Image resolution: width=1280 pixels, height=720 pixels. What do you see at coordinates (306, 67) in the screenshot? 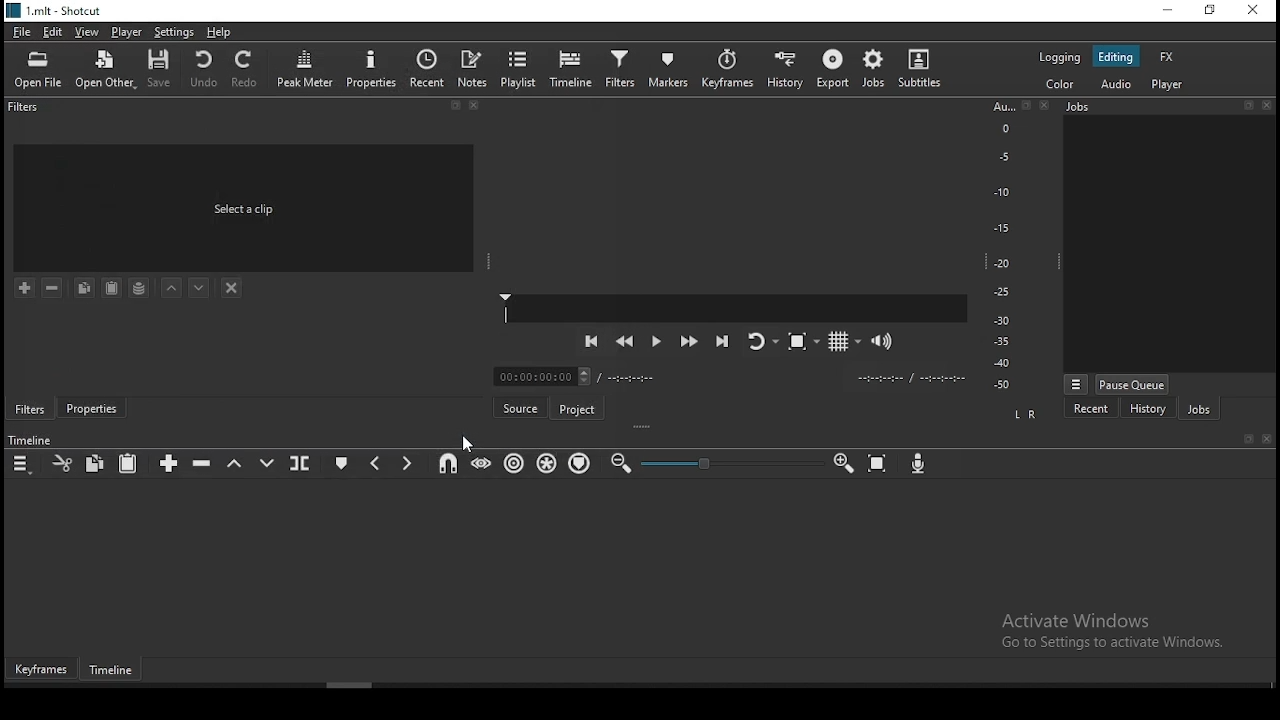
I see `peak meter` at bounding box center [306, 67].